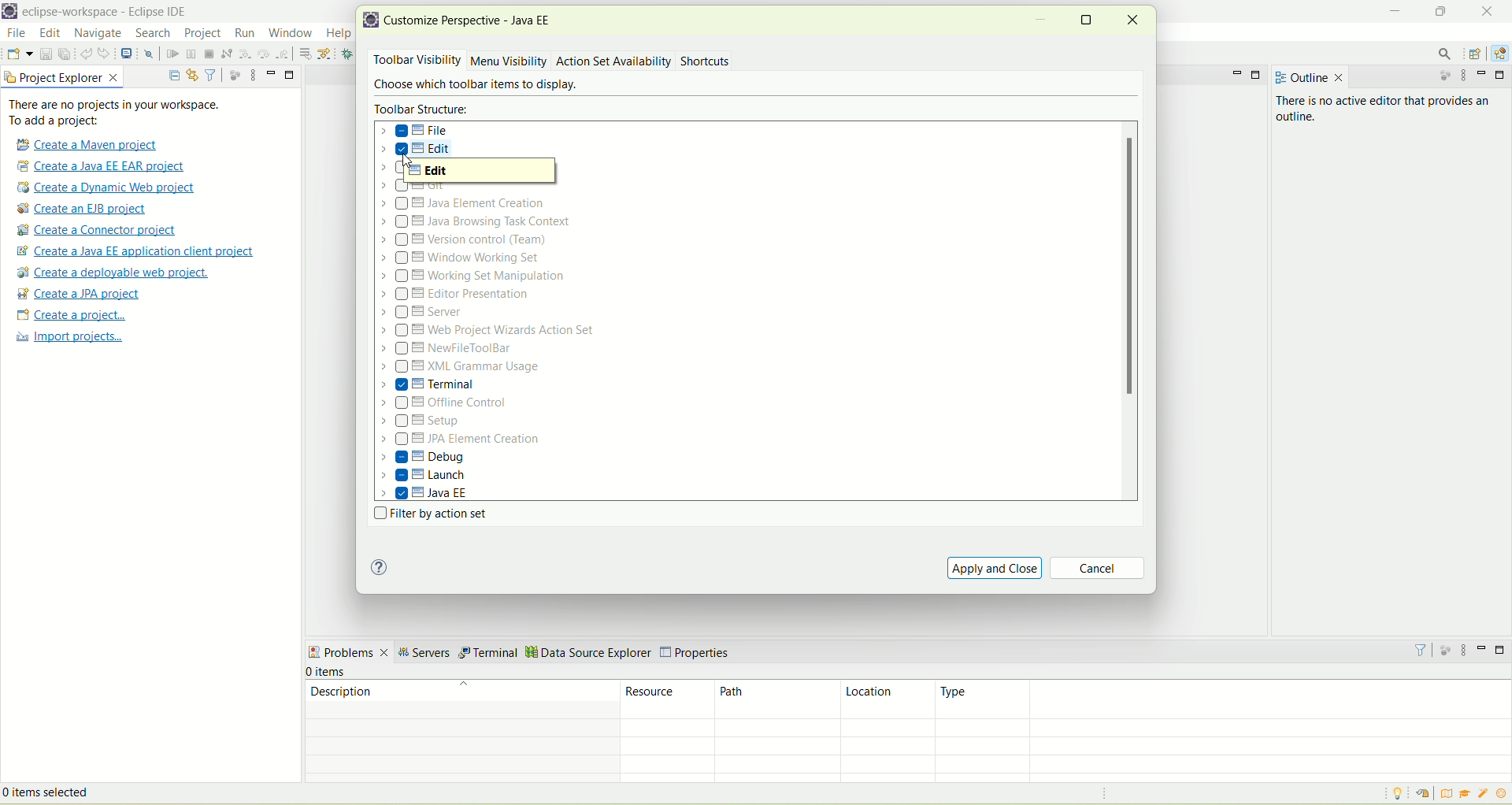 This screenshot has height=805, width=1512. What do you see at coordinates (124, 113) in the screenshot?
I see `text` at bounding box center [124, 113].